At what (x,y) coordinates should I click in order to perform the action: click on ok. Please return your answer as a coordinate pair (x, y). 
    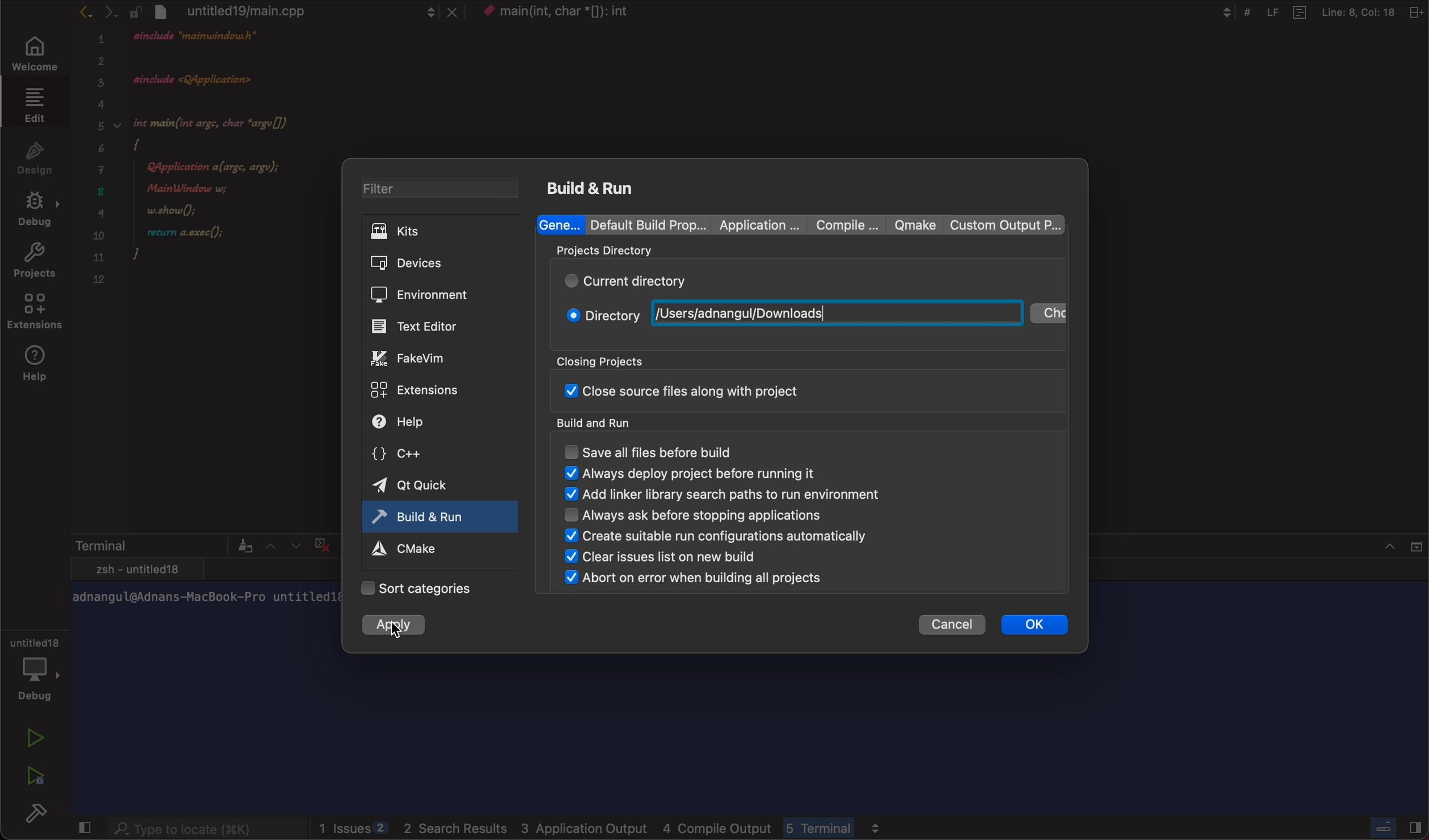
    Looking at the image, I should click on (1039, 623).